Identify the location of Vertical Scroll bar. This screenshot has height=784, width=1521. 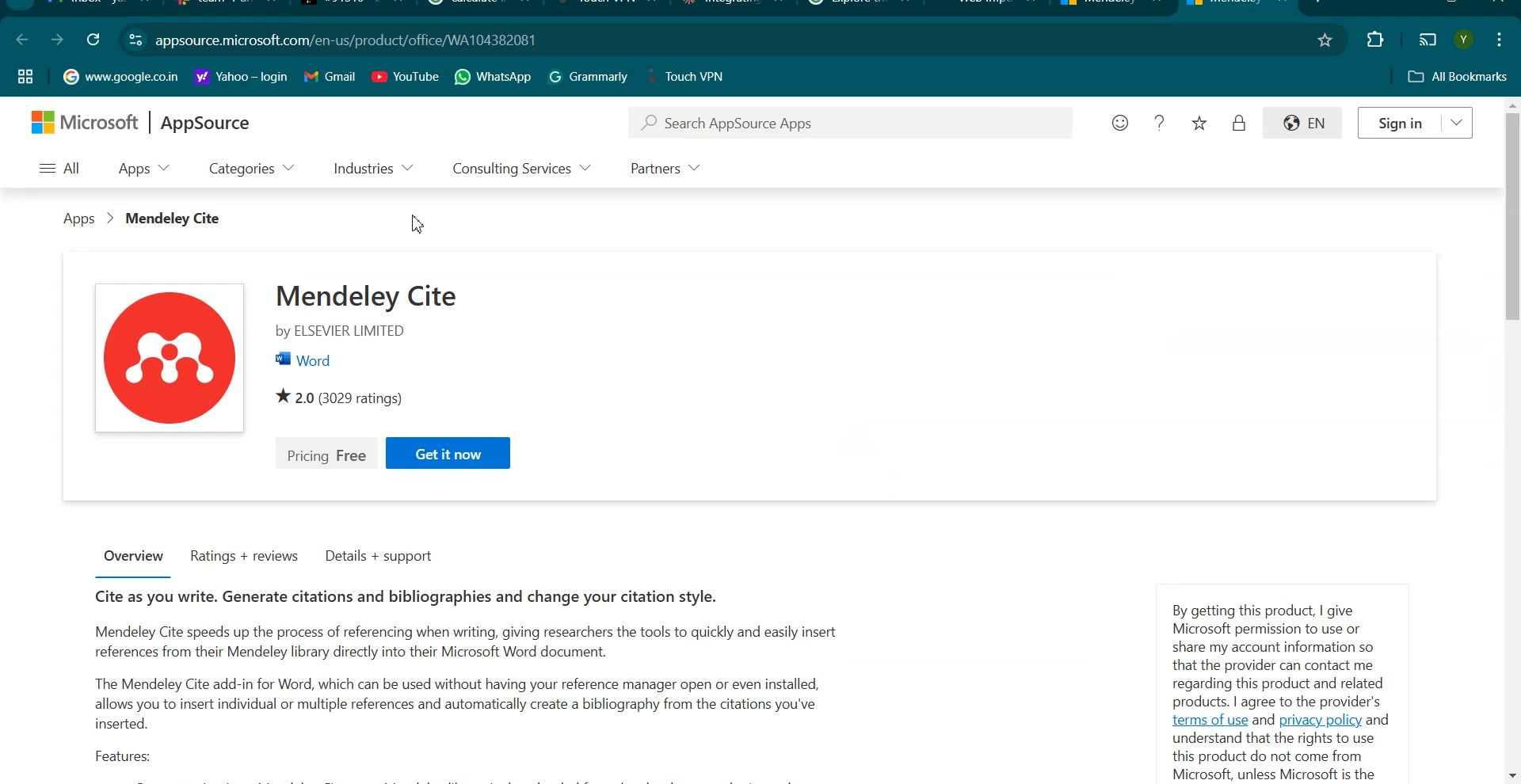
(1511, 217).